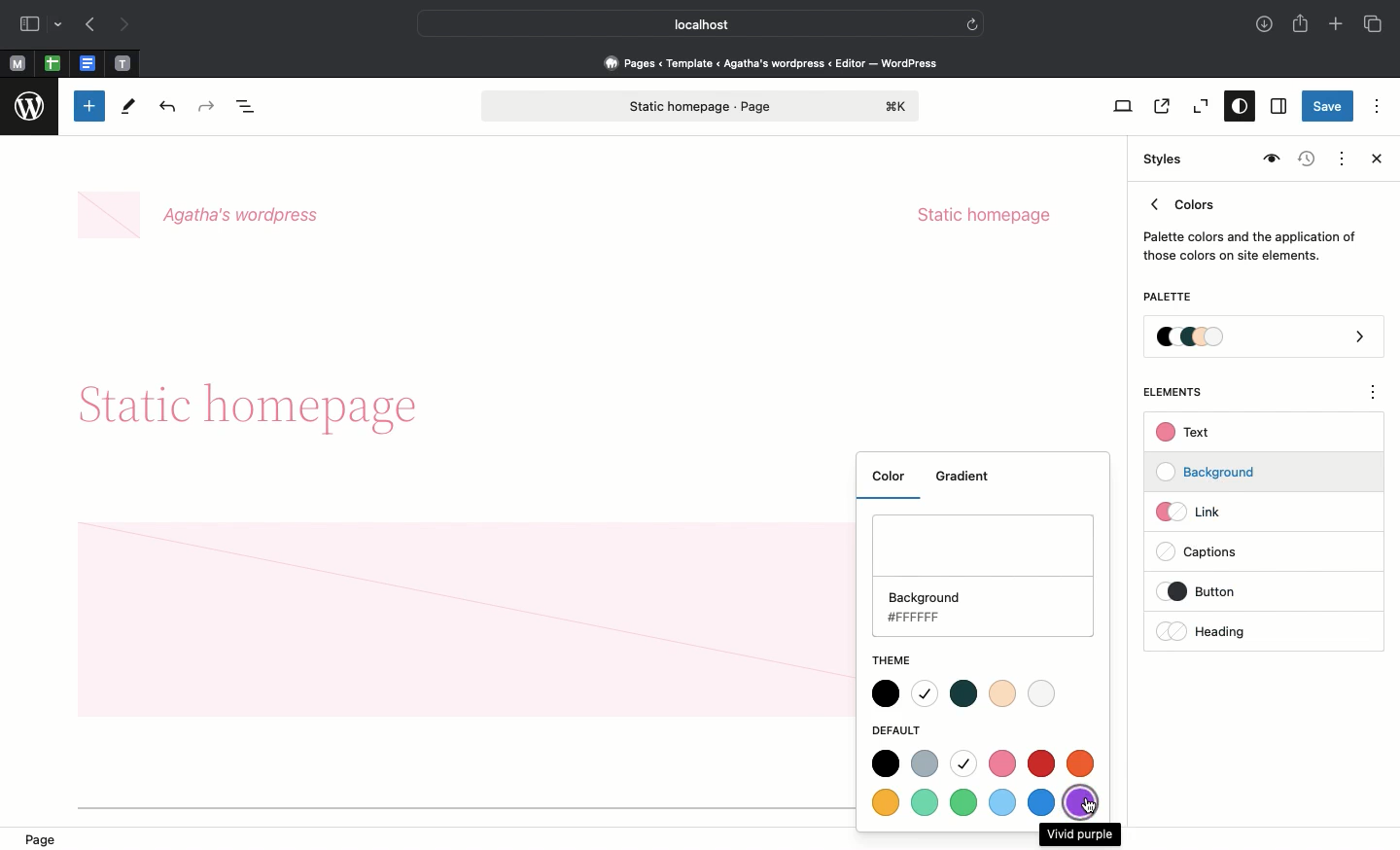  I want to click on Tabs, so click(1375, 24).